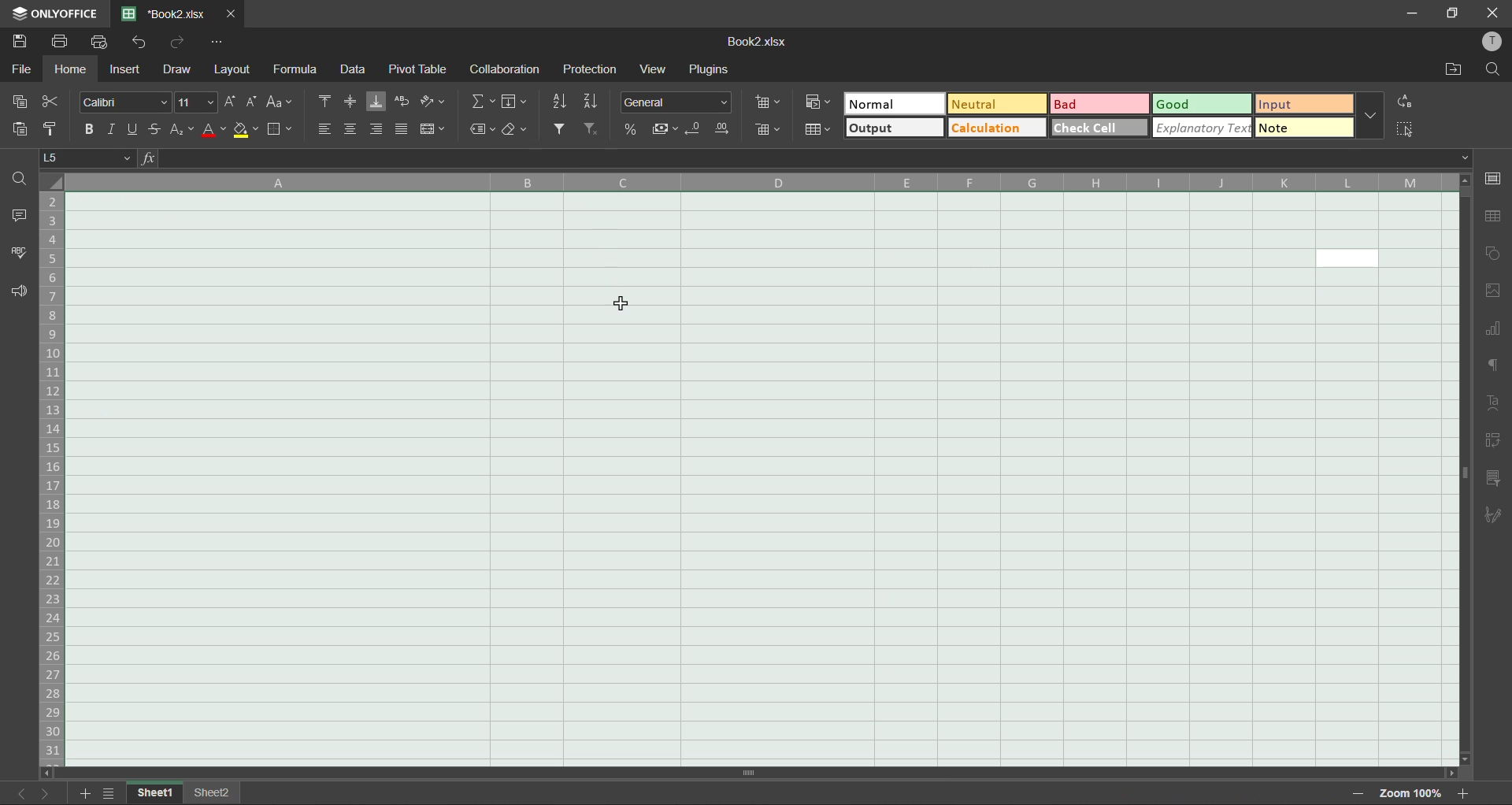  I want to click on previous, so click(20, 793).